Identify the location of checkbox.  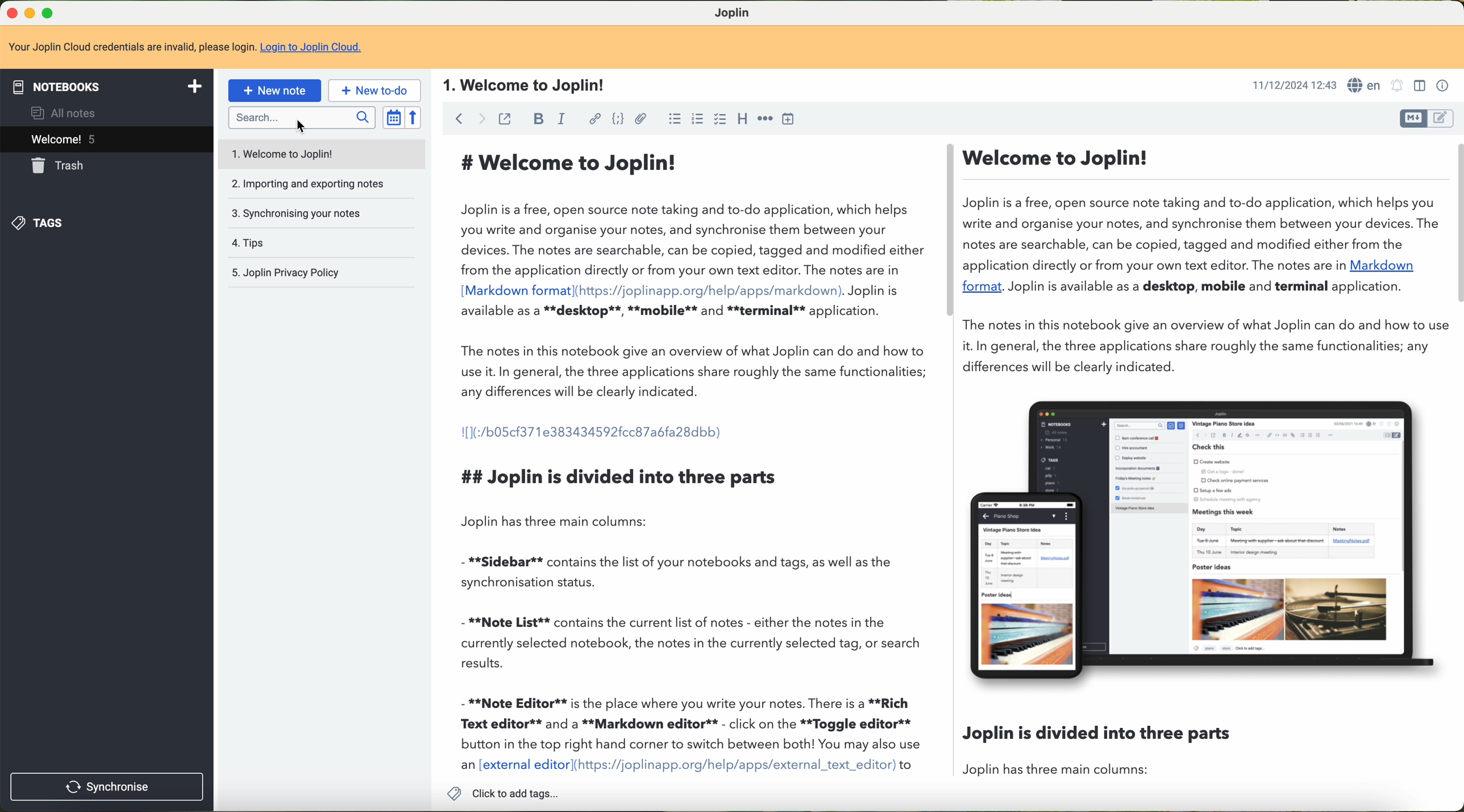
(721, 120).